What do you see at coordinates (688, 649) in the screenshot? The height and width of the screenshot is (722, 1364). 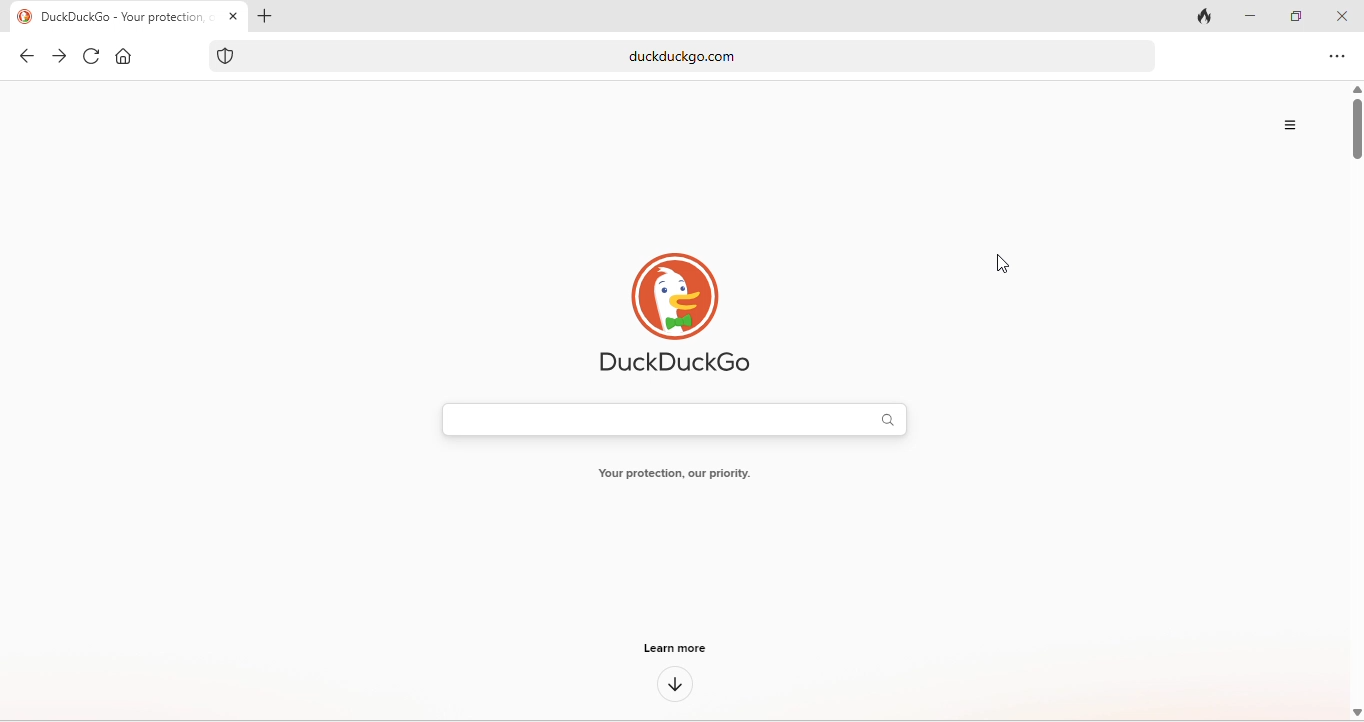 I see `learn more` at bounding box center [688, 649].